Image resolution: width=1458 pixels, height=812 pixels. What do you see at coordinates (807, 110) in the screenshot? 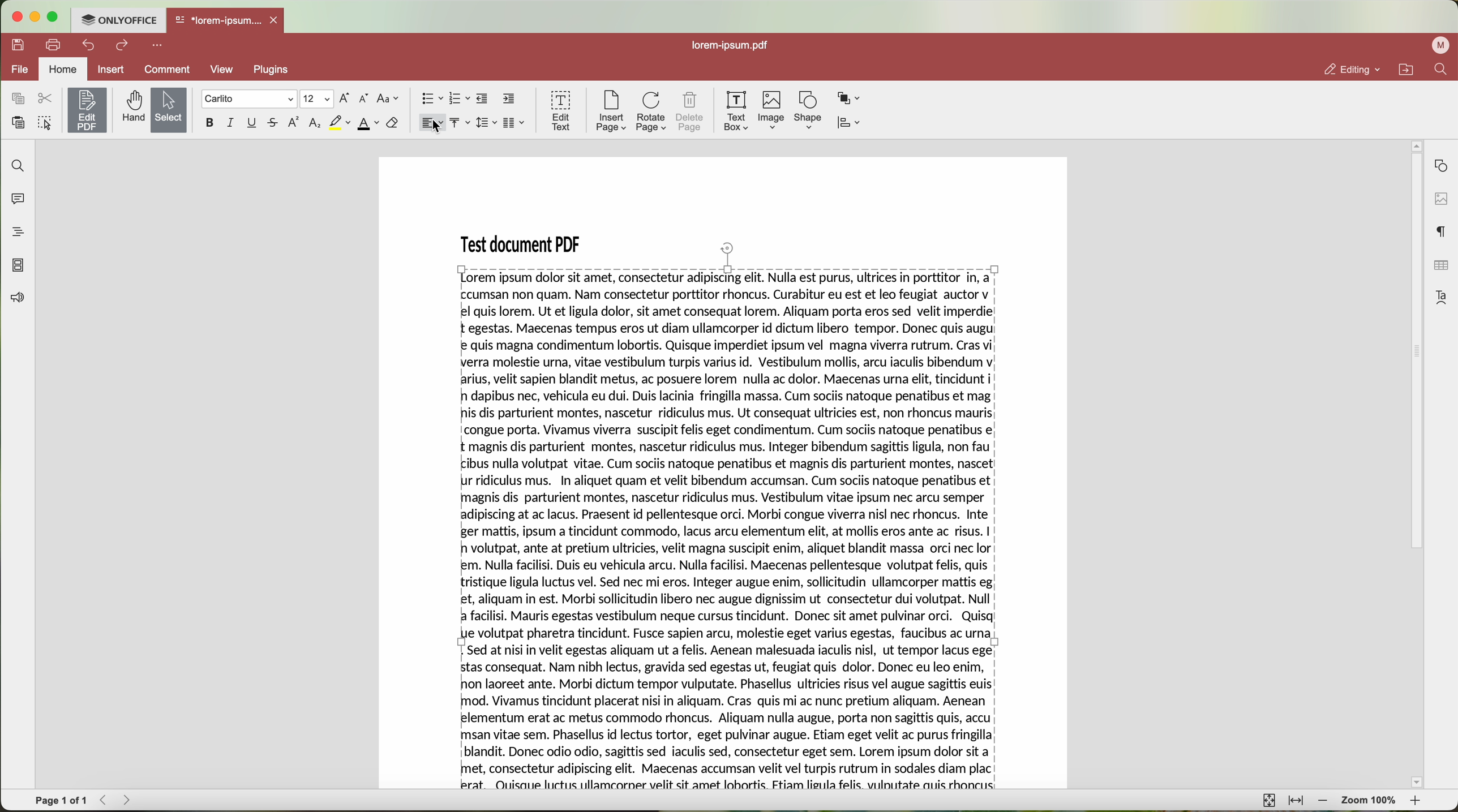
I see `shape` at bounding box center [807, 110].